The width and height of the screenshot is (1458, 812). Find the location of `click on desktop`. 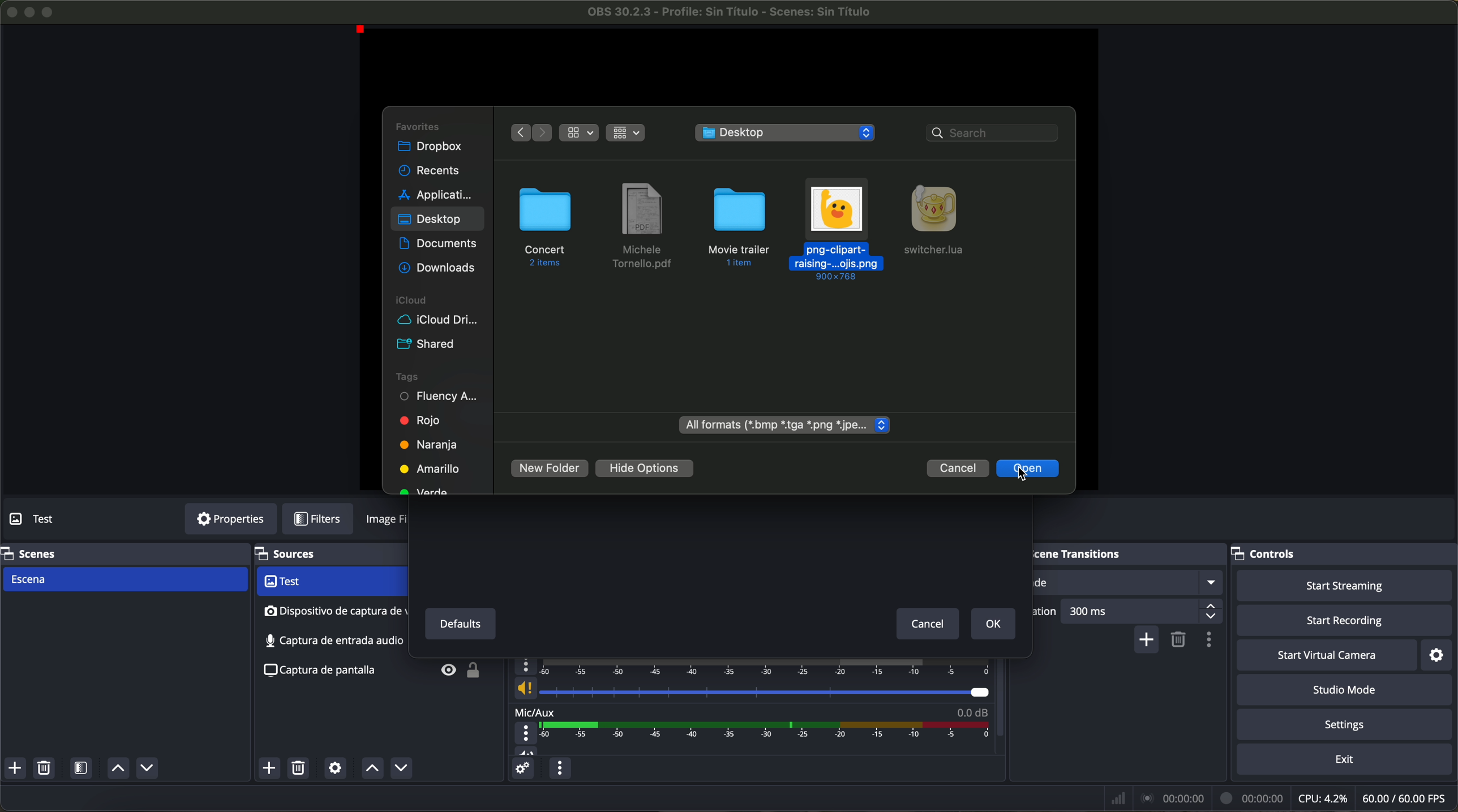

click on desktop is located at coordinates (430, 223).